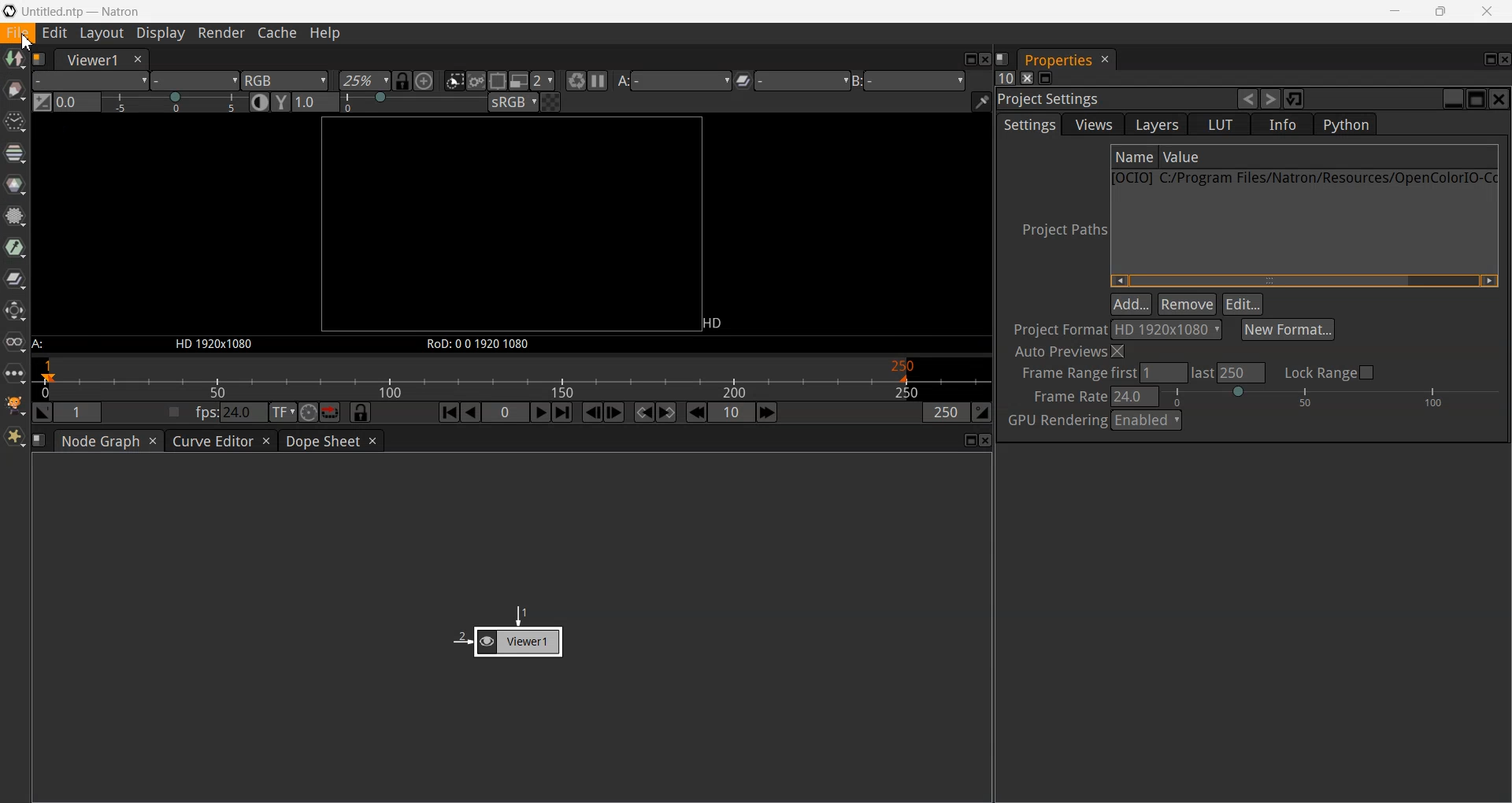 This screenshot has width=1512, height=803. I want to click on Close, so click(1499, 99).